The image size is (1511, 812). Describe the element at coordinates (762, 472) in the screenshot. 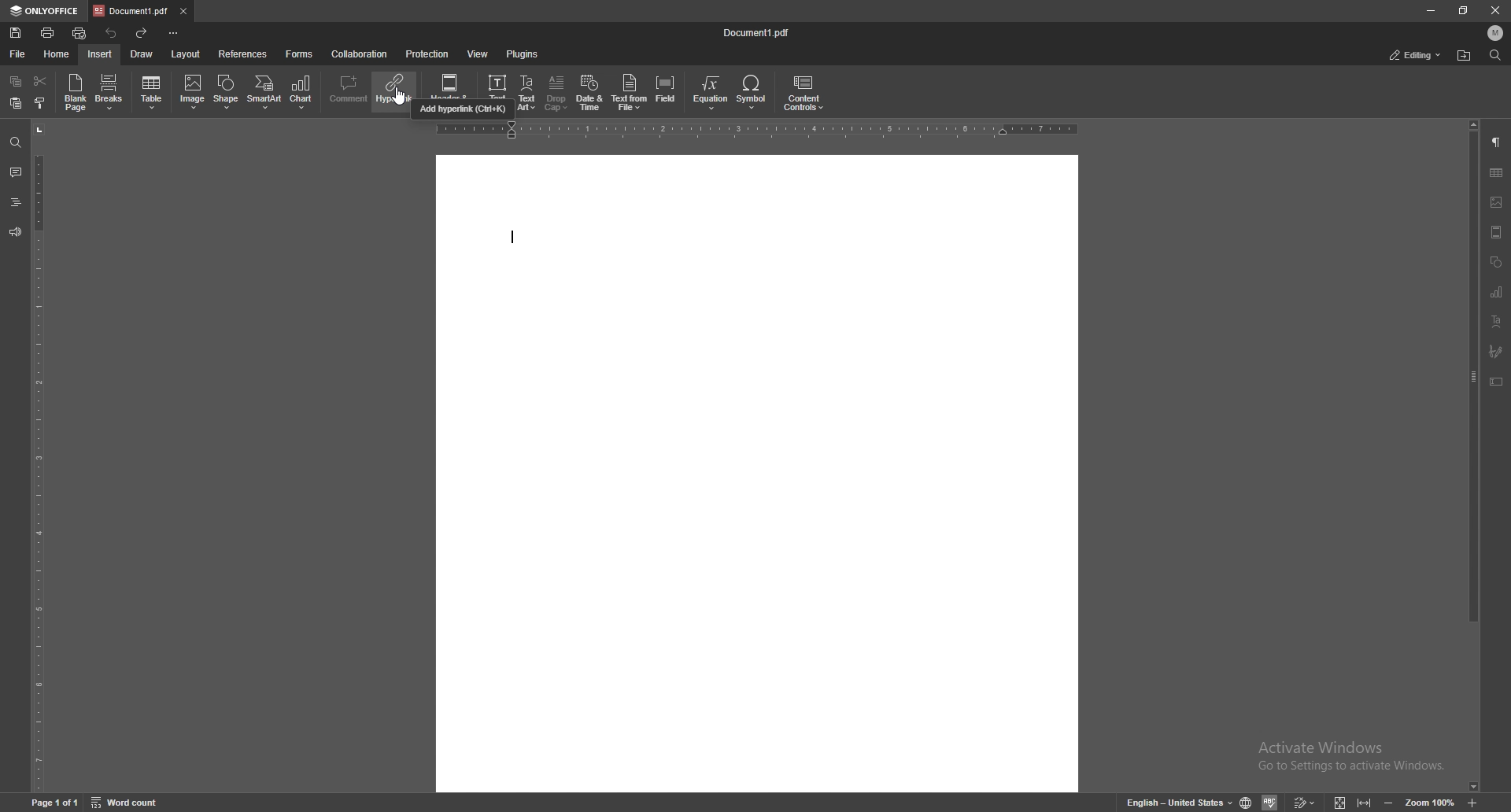

I see `workspace` at that location.